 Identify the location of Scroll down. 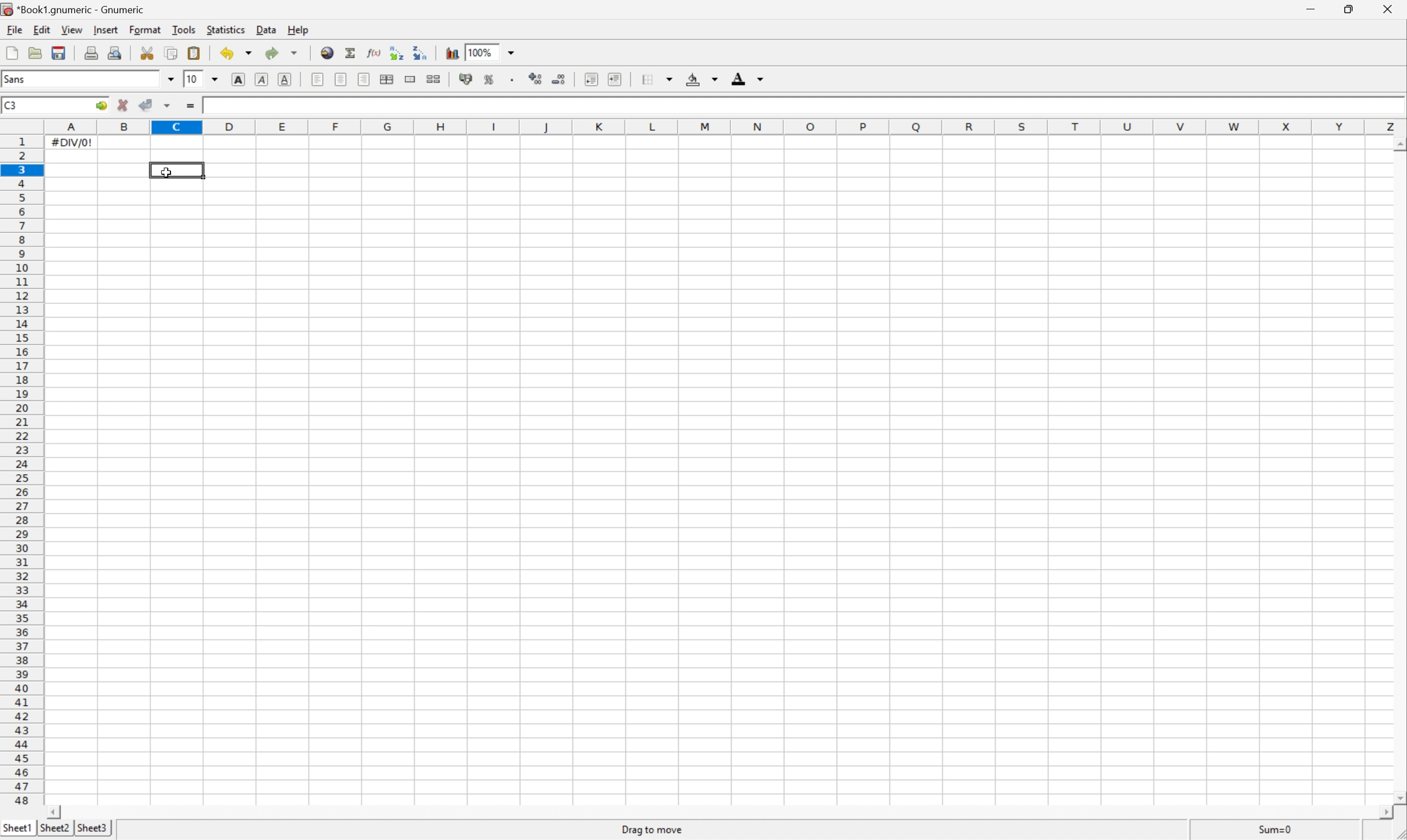
(1396, 798).